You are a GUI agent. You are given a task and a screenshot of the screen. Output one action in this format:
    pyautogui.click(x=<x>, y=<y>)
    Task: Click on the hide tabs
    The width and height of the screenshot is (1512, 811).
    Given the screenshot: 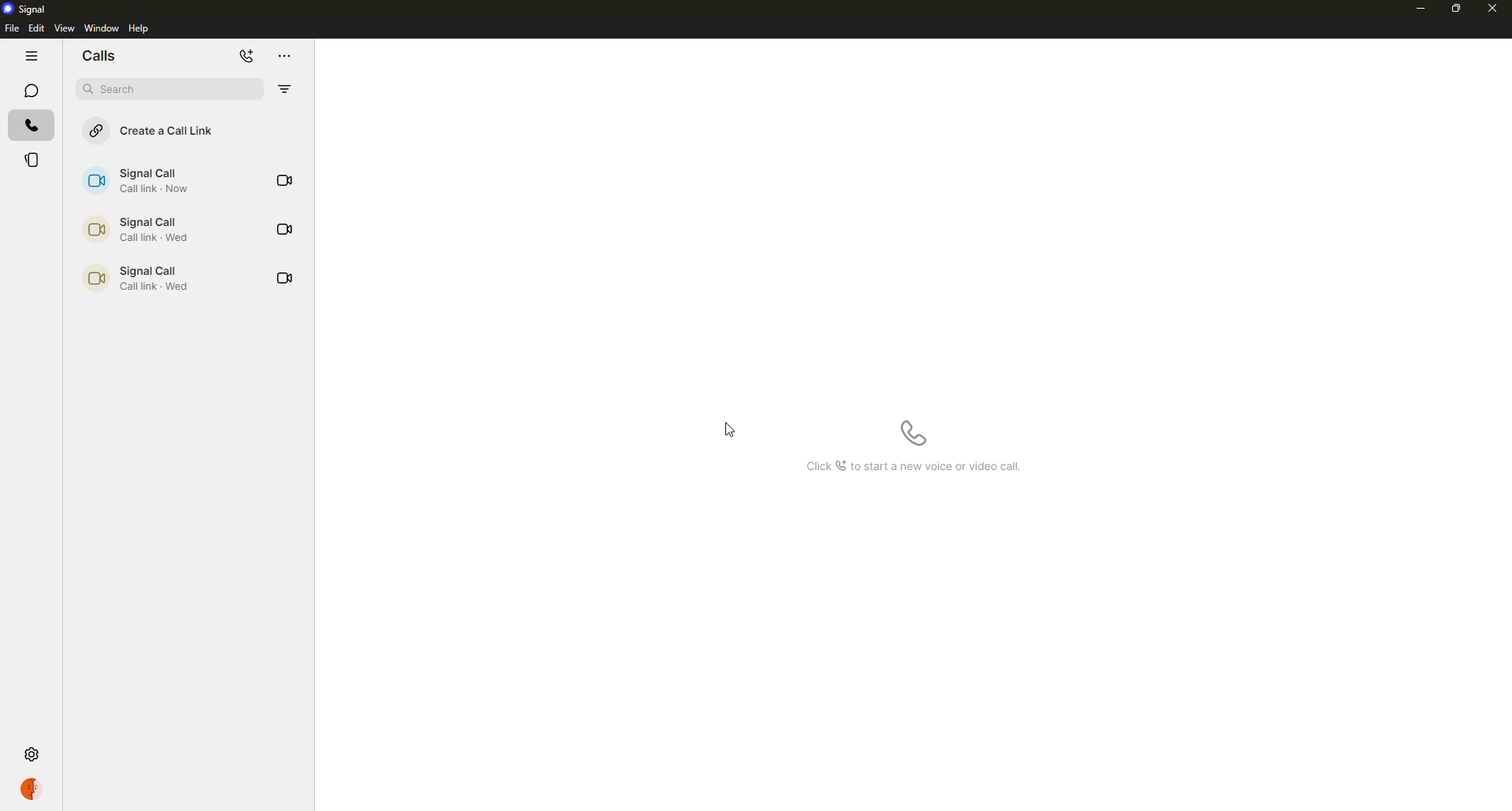 What is the action you would take?
    pyautogui.click(x=31, y=57)
    